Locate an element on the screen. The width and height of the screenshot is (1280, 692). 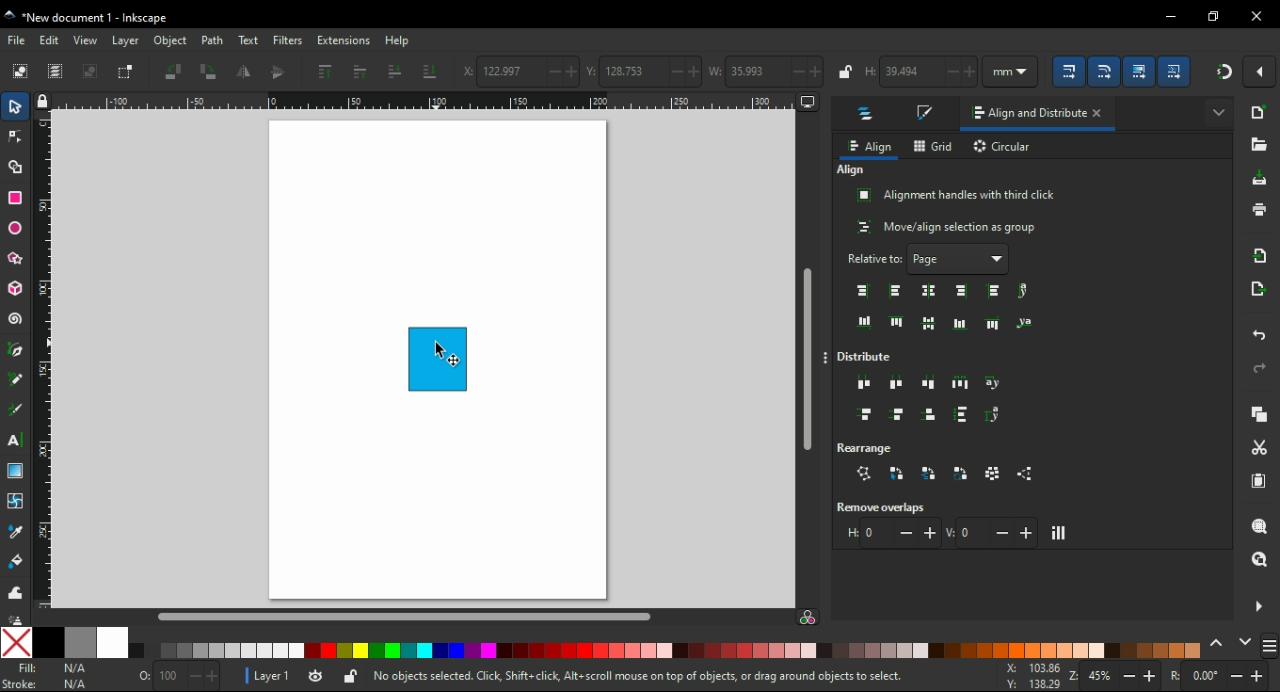
layer visibility is located at coordinates (320, 676).